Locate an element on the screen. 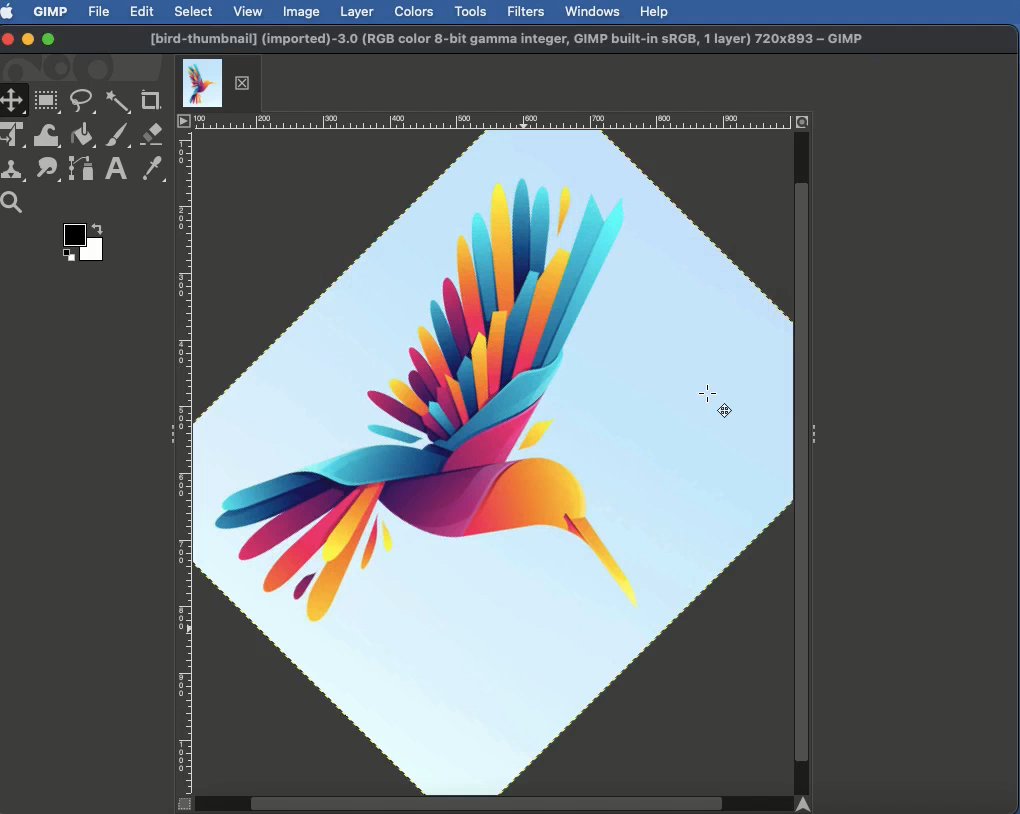 Image resolution: width=1020 pixels, height=814 pixels. Filters is located at coordinates (524, 12).